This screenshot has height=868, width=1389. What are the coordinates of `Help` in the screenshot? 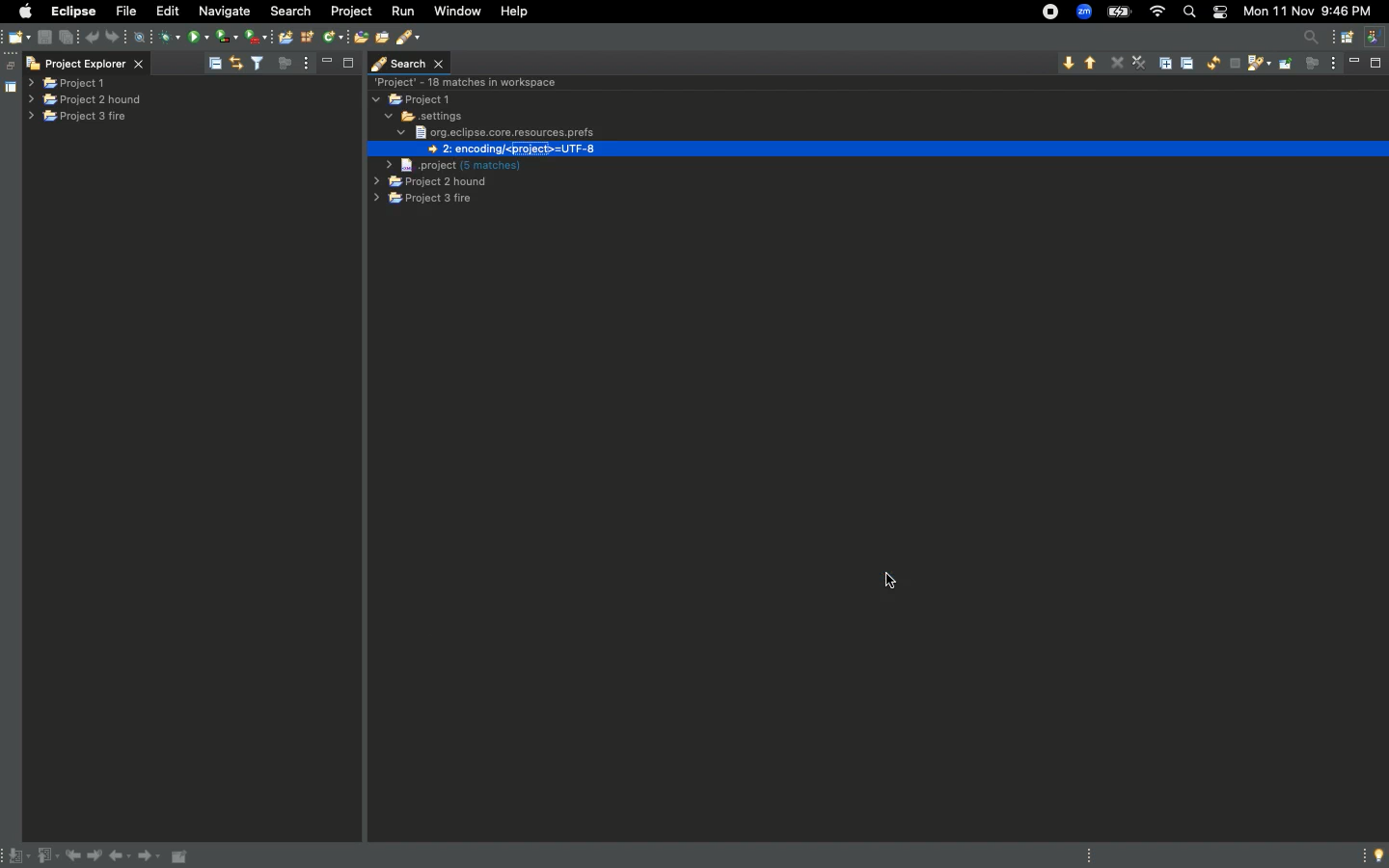 It's located at (521, 13).